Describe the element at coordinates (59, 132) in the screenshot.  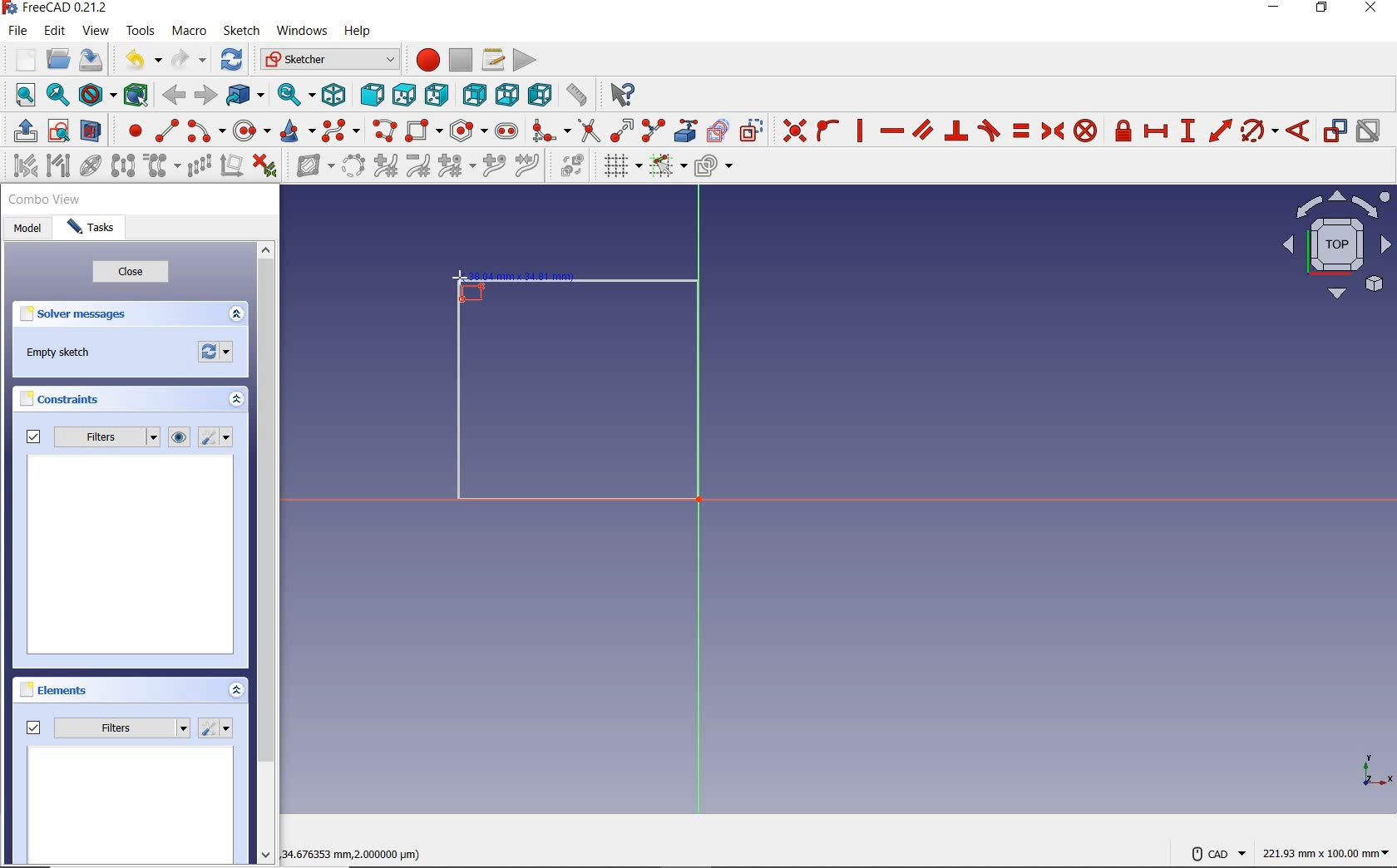
I see `view sketch` at that location.